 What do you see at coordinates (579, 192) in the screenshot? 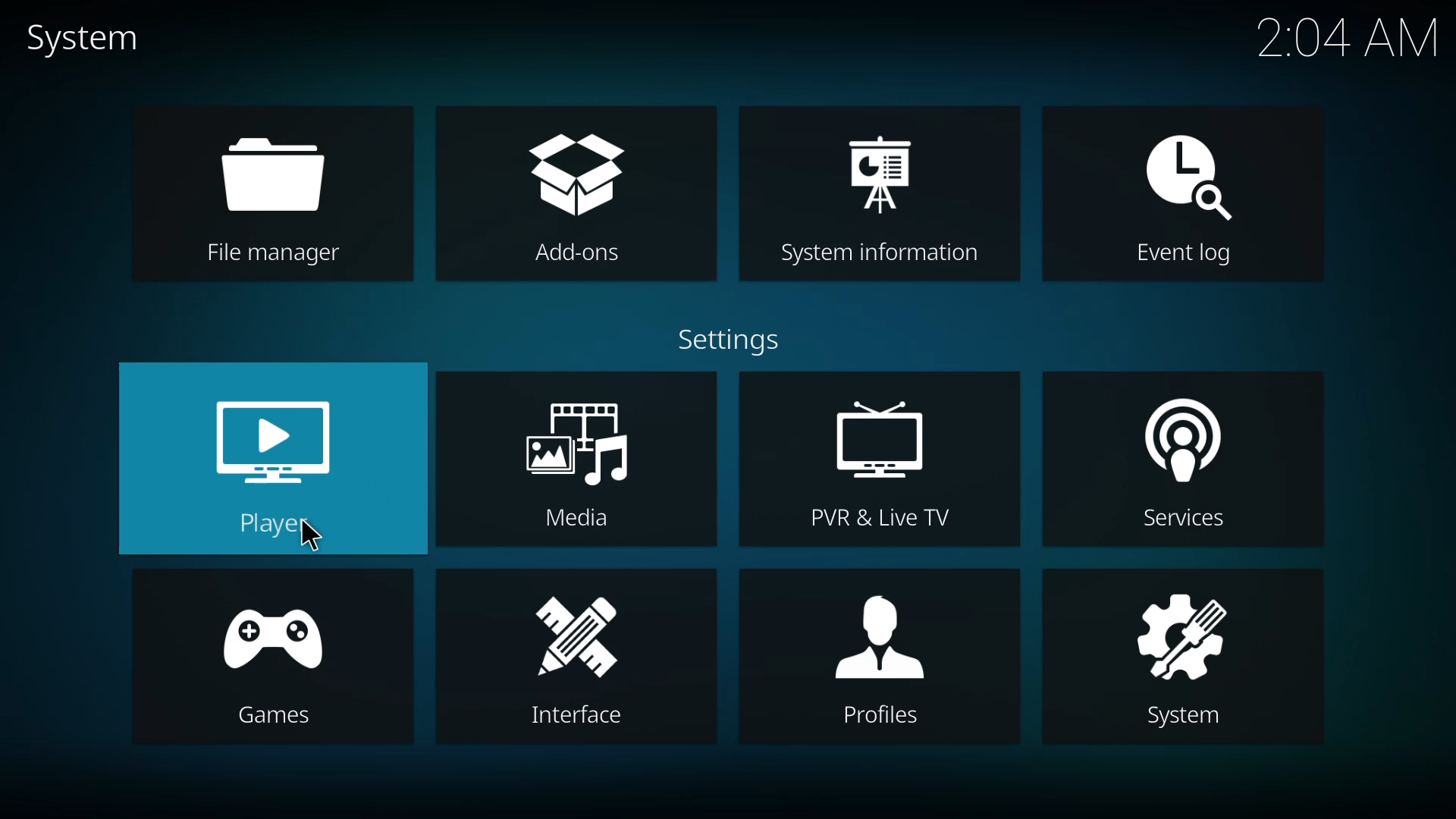
I see `add-ons` at bounding box center [579, 192].